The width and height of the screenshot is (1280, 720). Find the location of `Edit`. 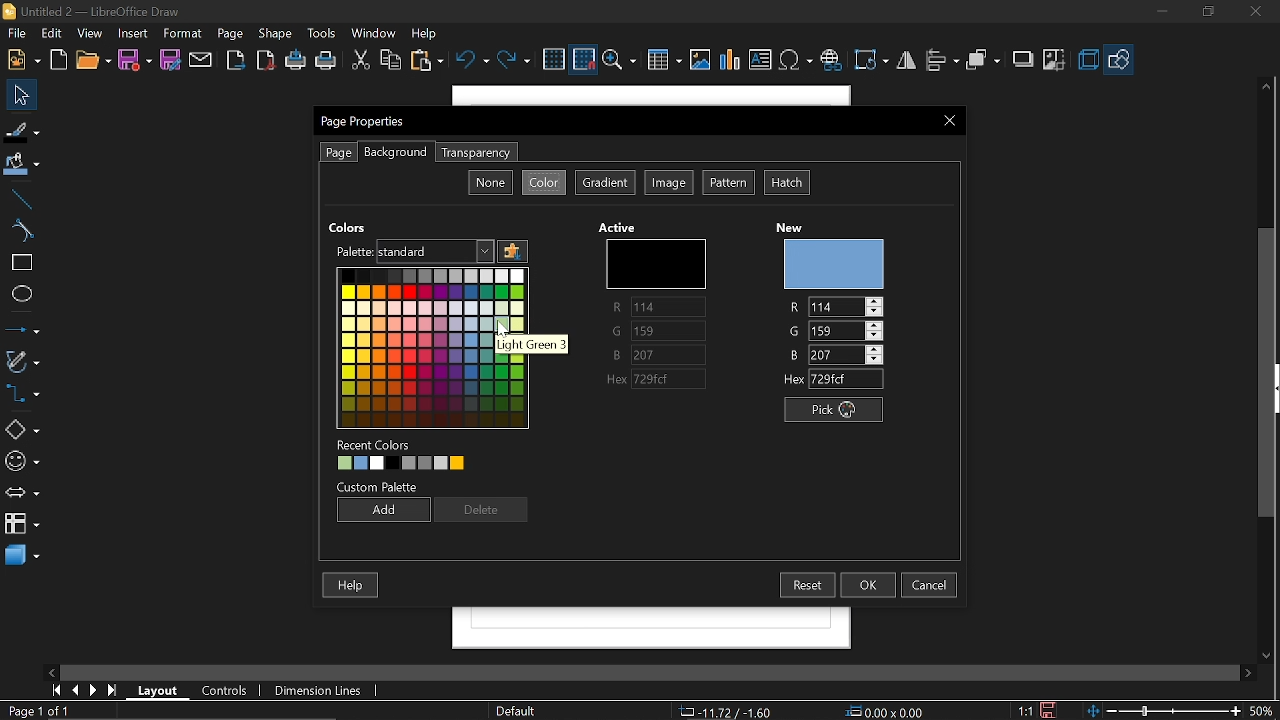

Edit is located at coordinates (51, 34).